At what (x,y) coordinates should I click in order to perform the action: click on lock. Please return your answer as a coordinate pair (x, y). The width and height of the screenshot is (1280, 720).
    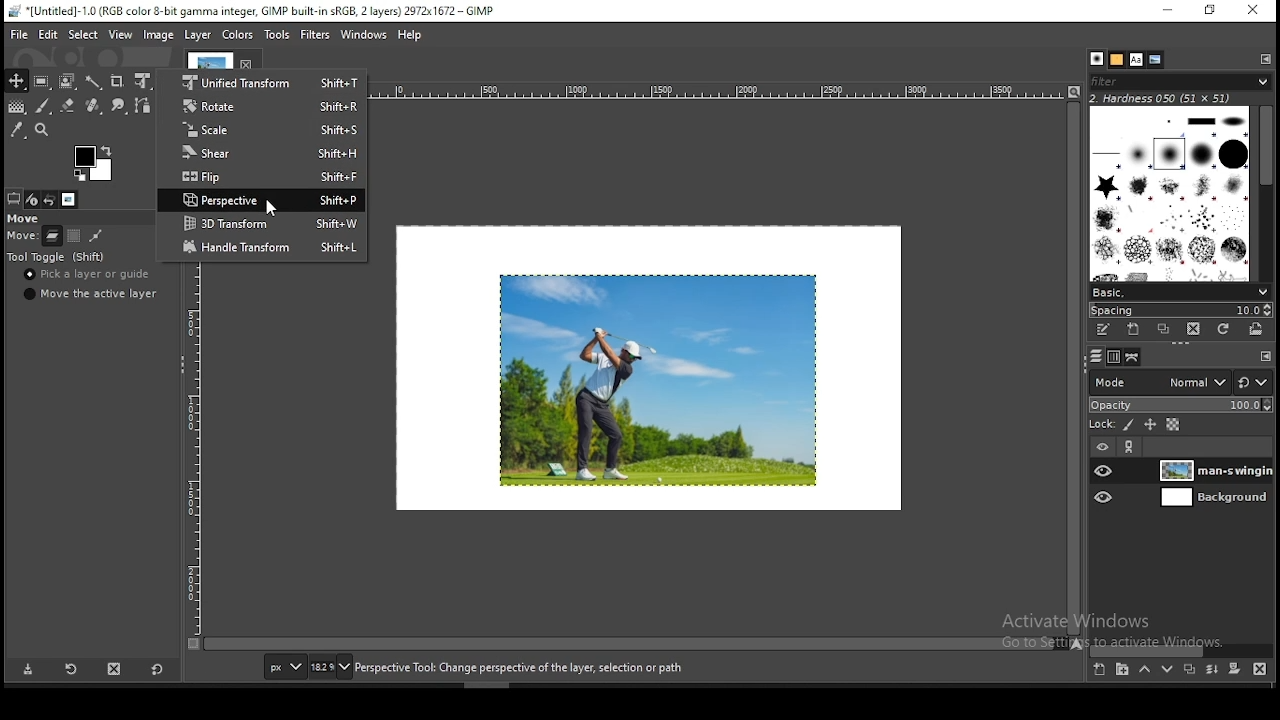
    Looking at the image, I should click on (1103, 425).